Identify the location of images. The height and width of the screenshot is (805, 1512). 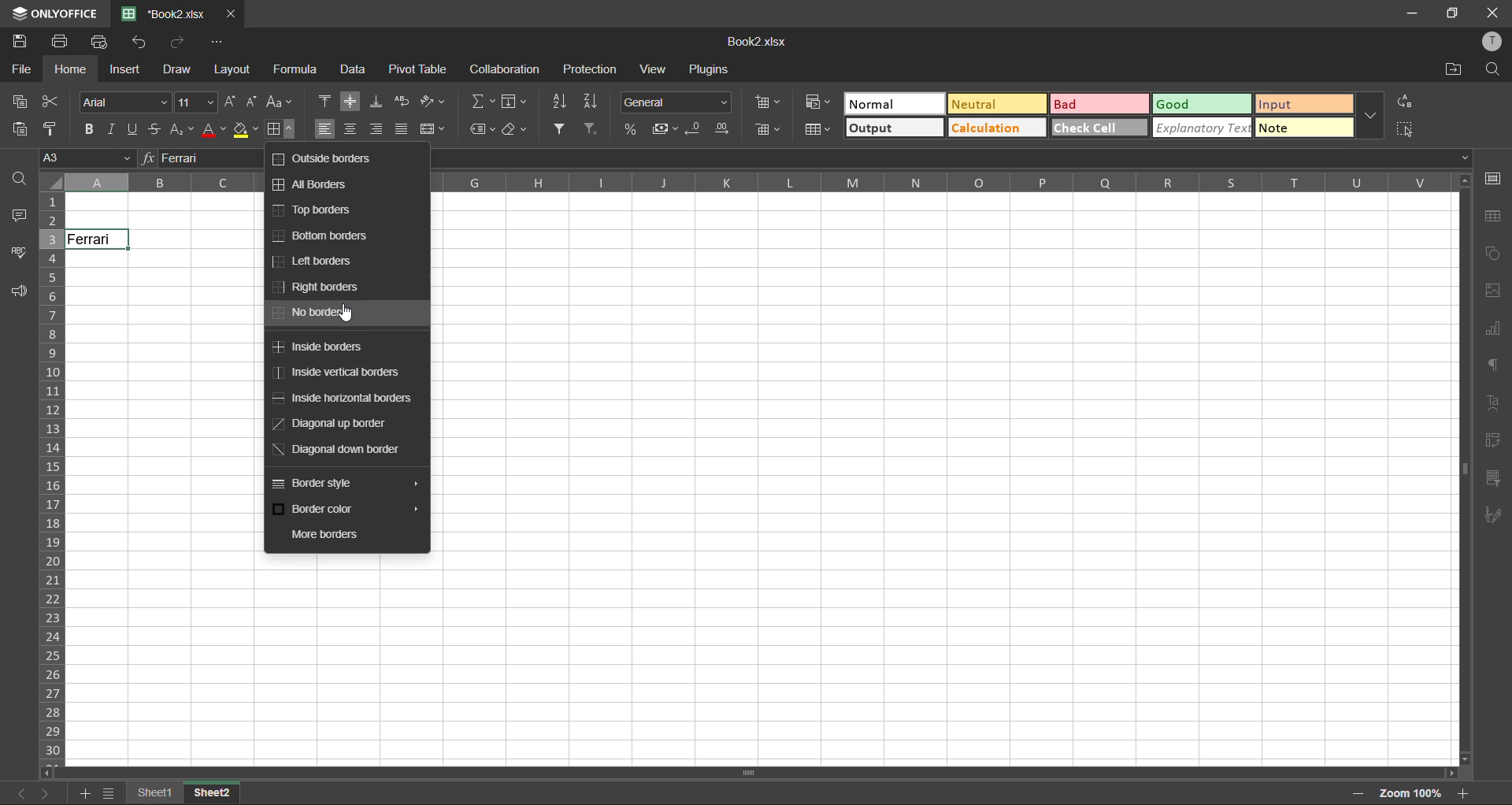
(1490, 291).